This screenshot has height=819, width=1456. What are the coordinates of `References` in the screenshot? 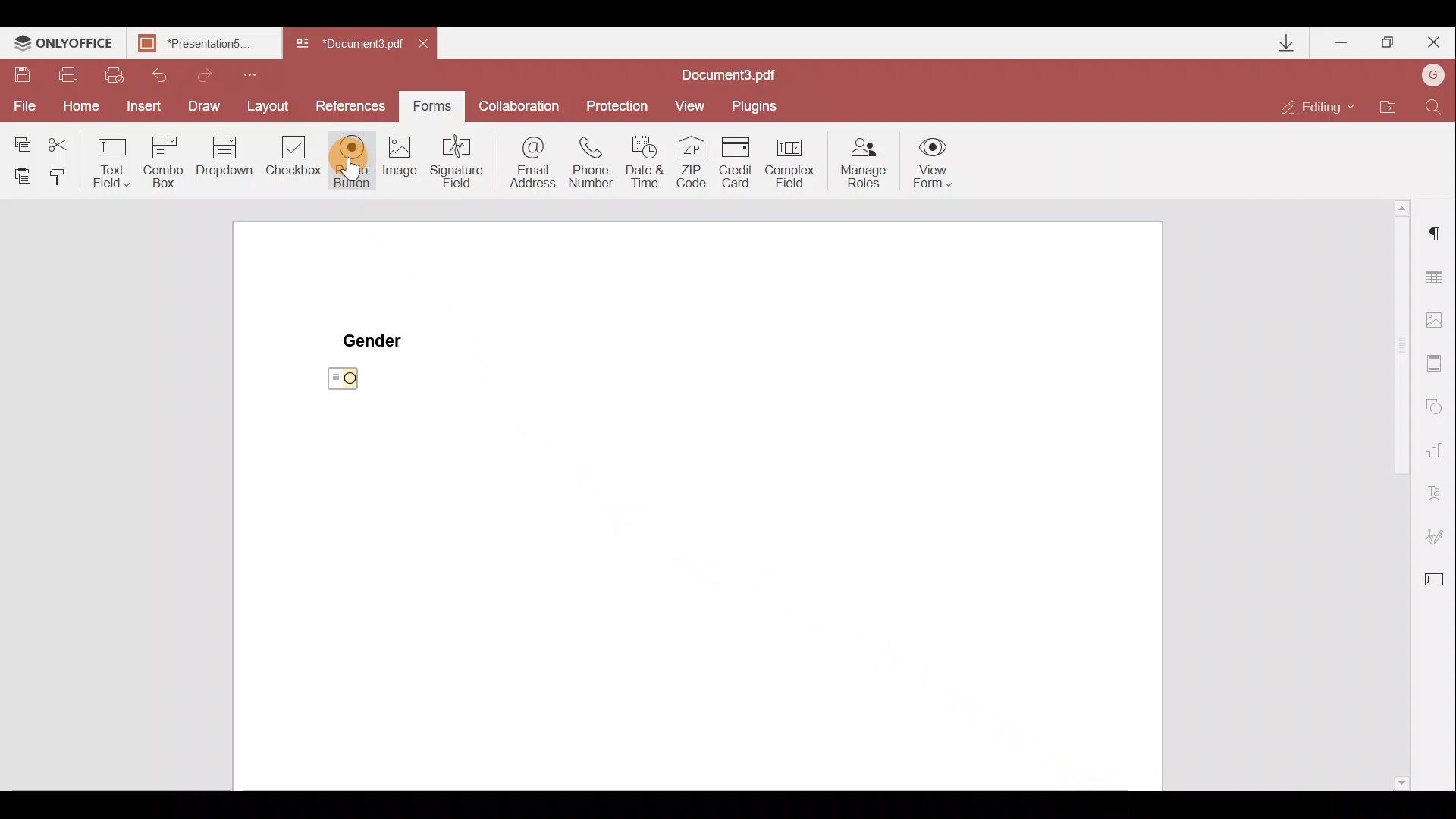 It's located at (352, 105).